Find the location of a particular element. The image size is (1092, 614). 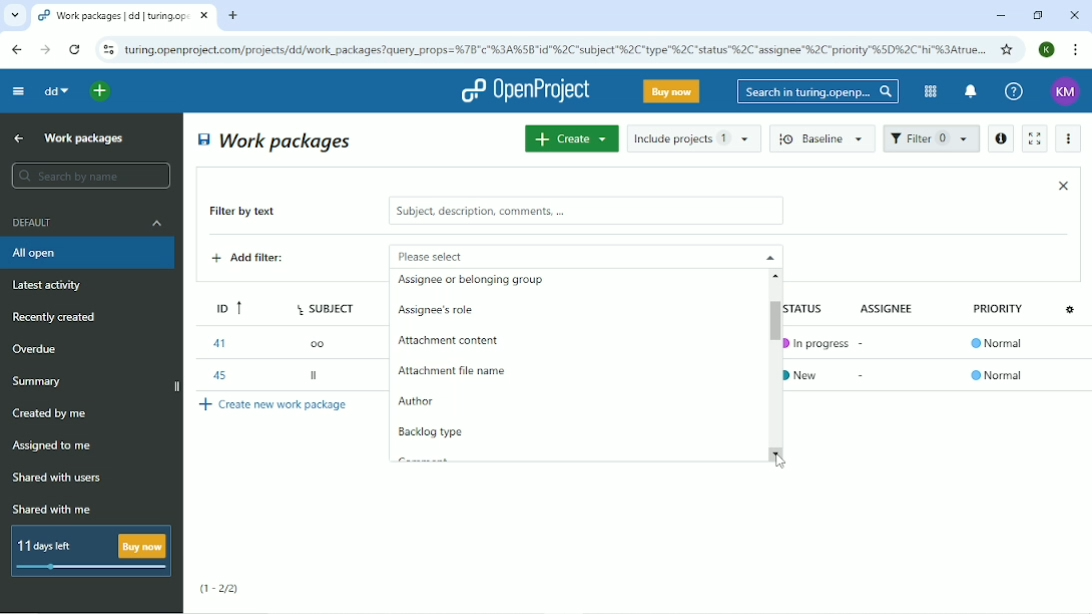

Priority is located at coordinates (1000, 314).